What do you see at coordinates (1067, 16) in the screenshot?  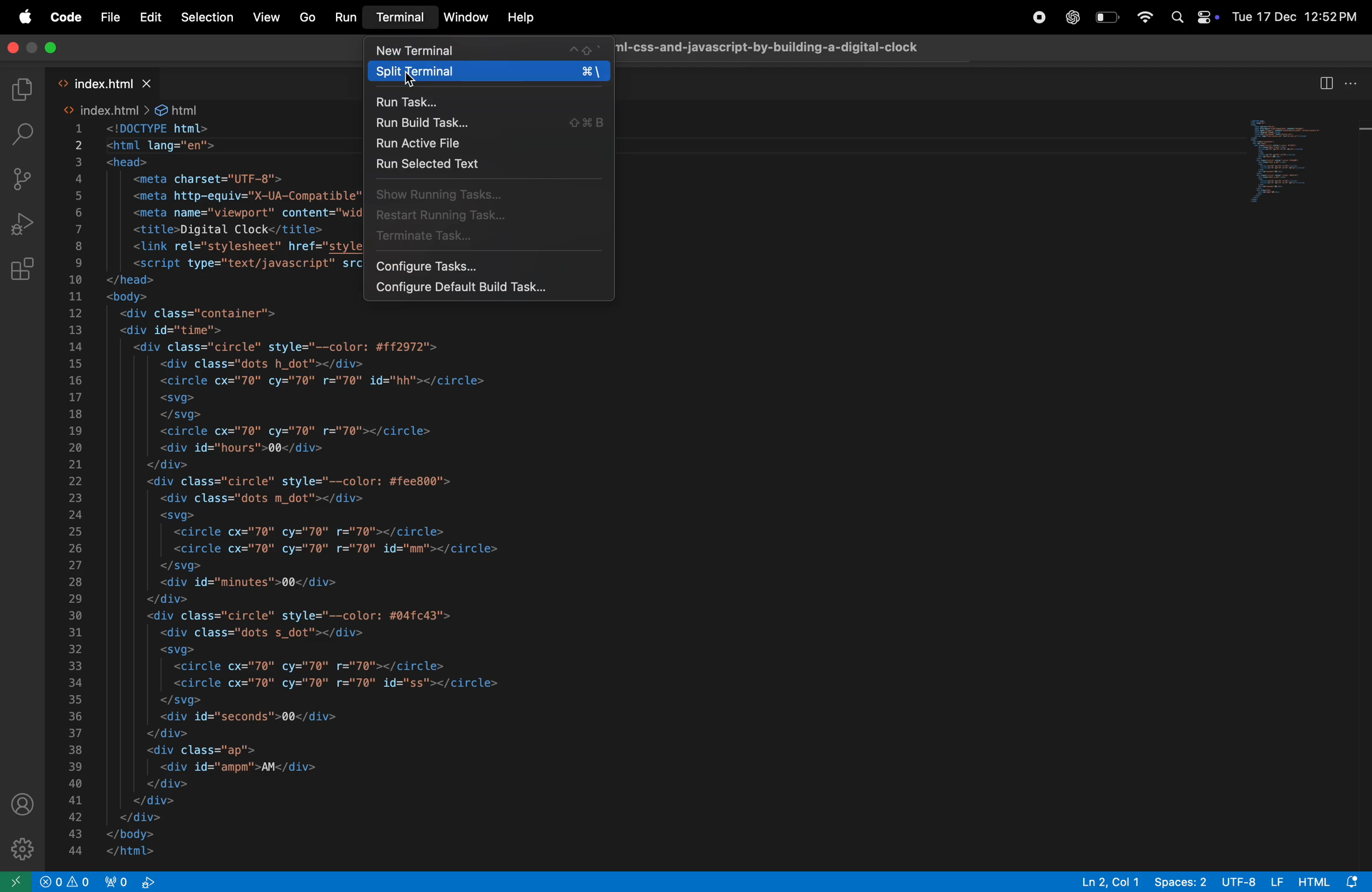 I see `chatgpt` at bounding box center [1067, 16].